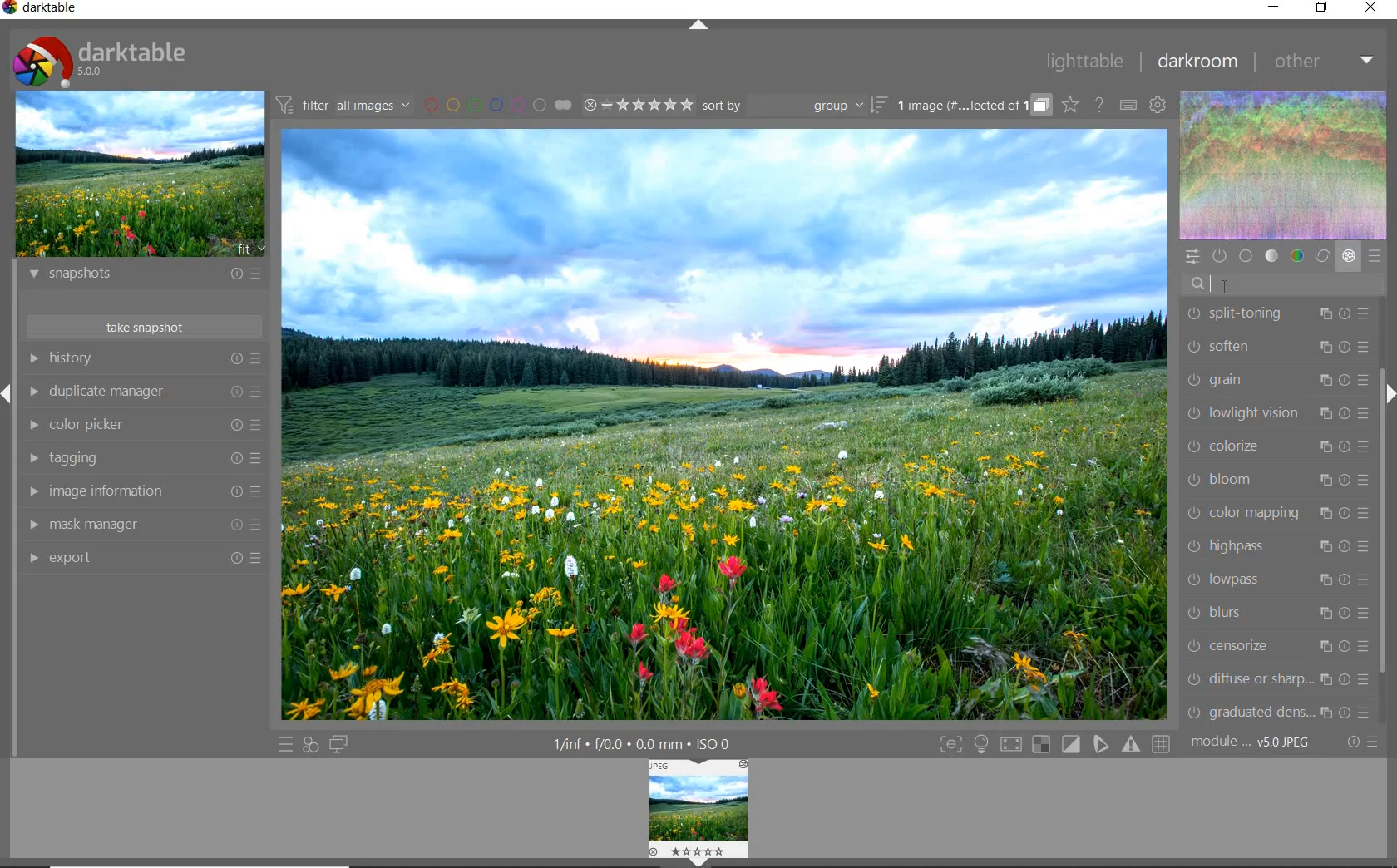 The height and width of the screenshot is (868, 1397). What do you see at coordinates (1372, 7) in the screenshot?
I see `close` at bounding box center [1372, 7].